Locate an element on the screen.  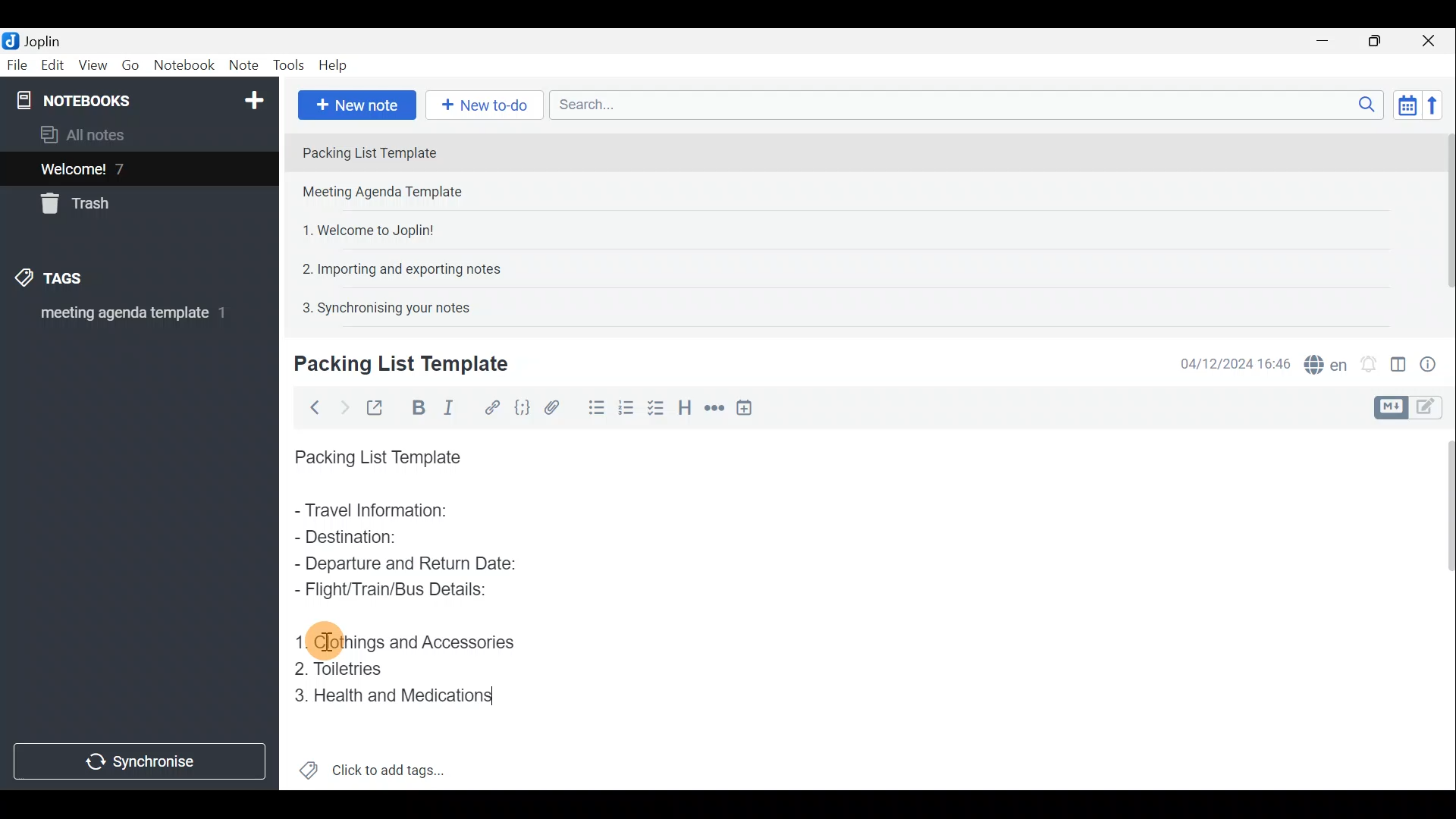
New to-do is located at coordinates (485, 105).